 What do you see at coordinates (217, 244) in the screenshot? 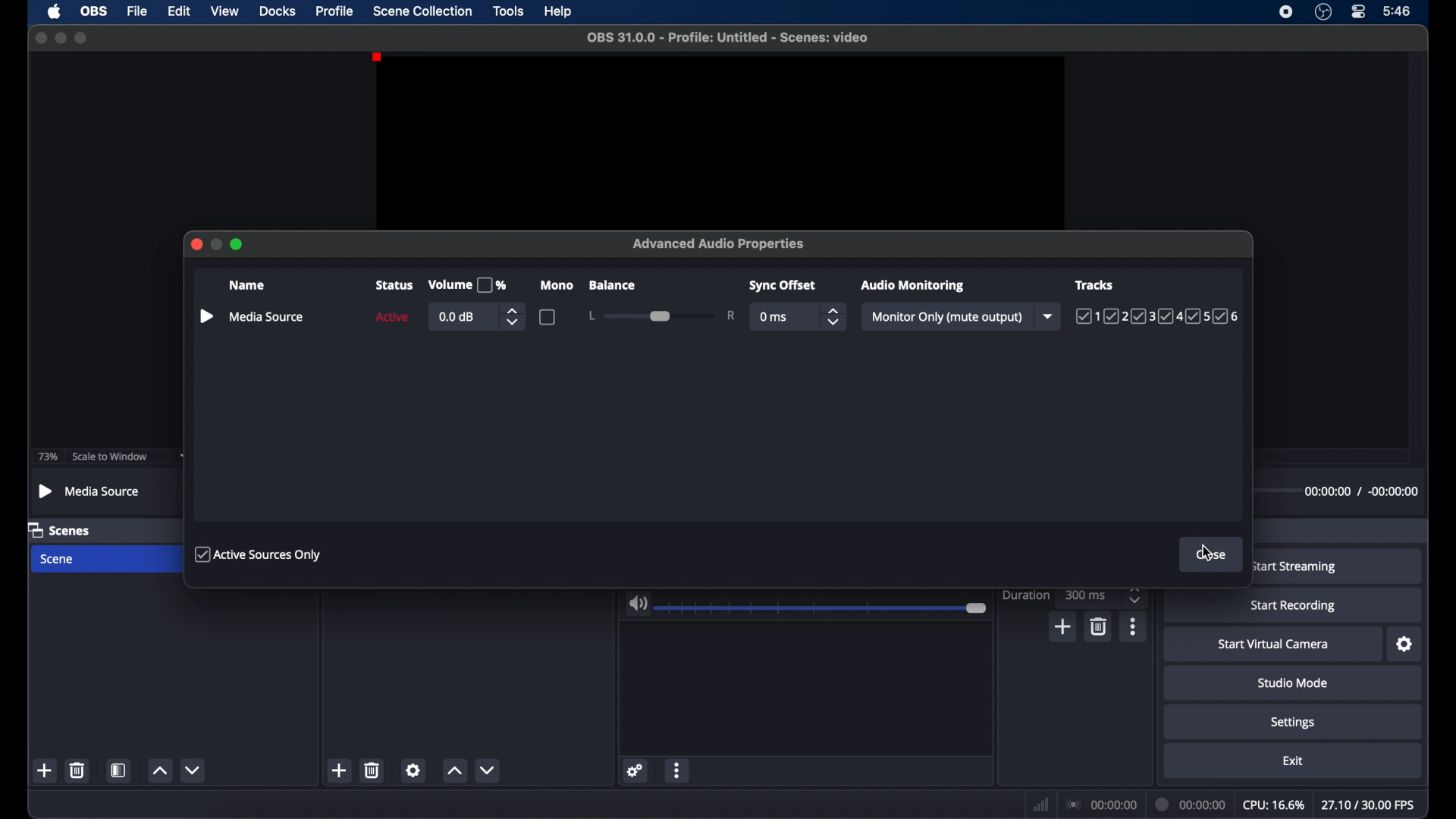
I see `minimize` at bounding box center [217, 244].